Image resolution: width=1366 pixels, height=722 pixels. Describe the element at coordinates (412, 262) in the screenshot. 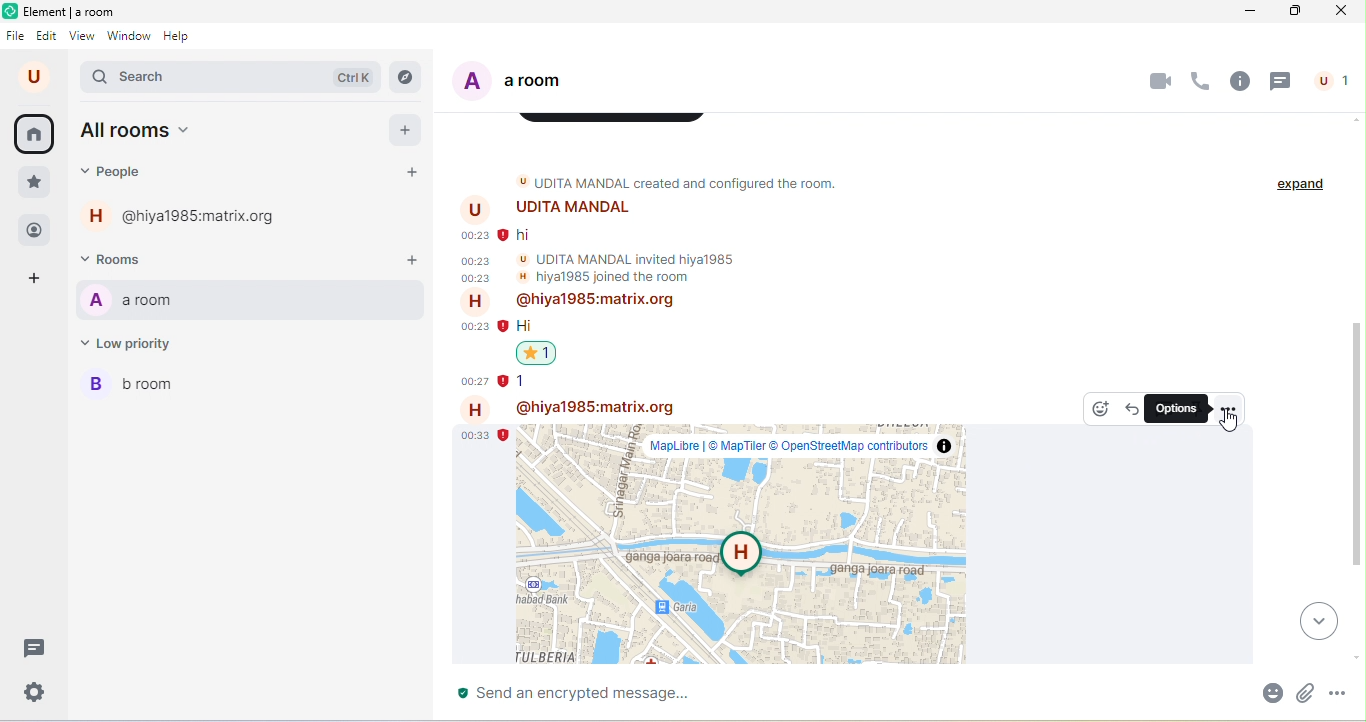

I see `add rooms` at that location.